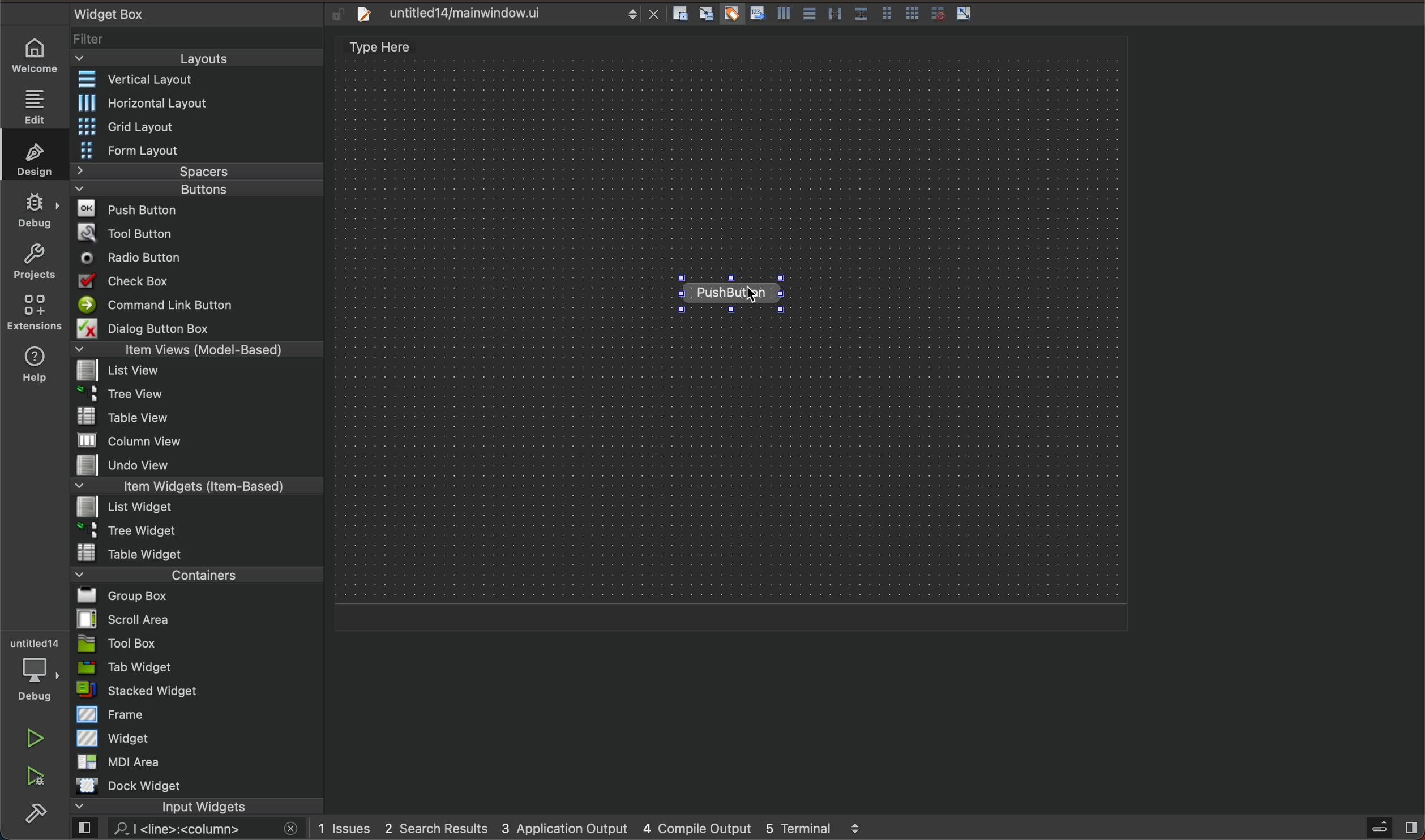 Image resolution: width=1425 pixels, height=840 pixels. I want to click on layouts, so click(195, 59).